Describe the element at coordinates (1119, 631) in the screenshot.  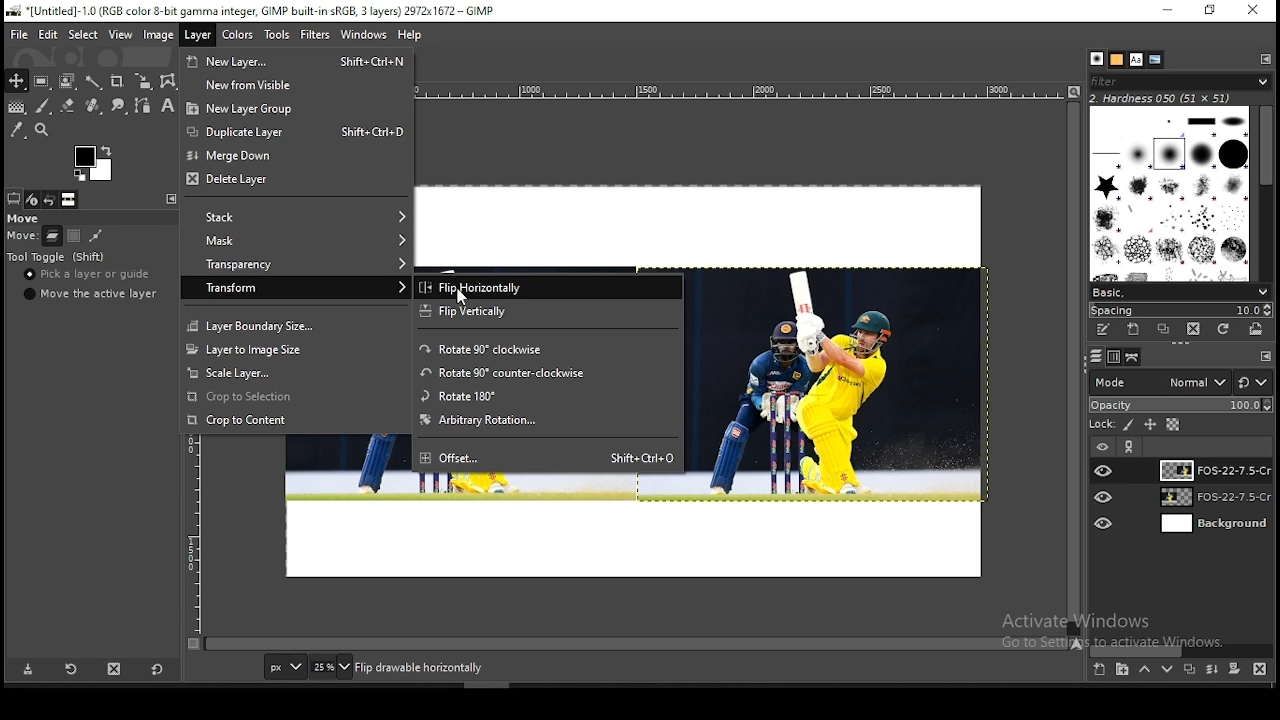
I see `text` at that location.